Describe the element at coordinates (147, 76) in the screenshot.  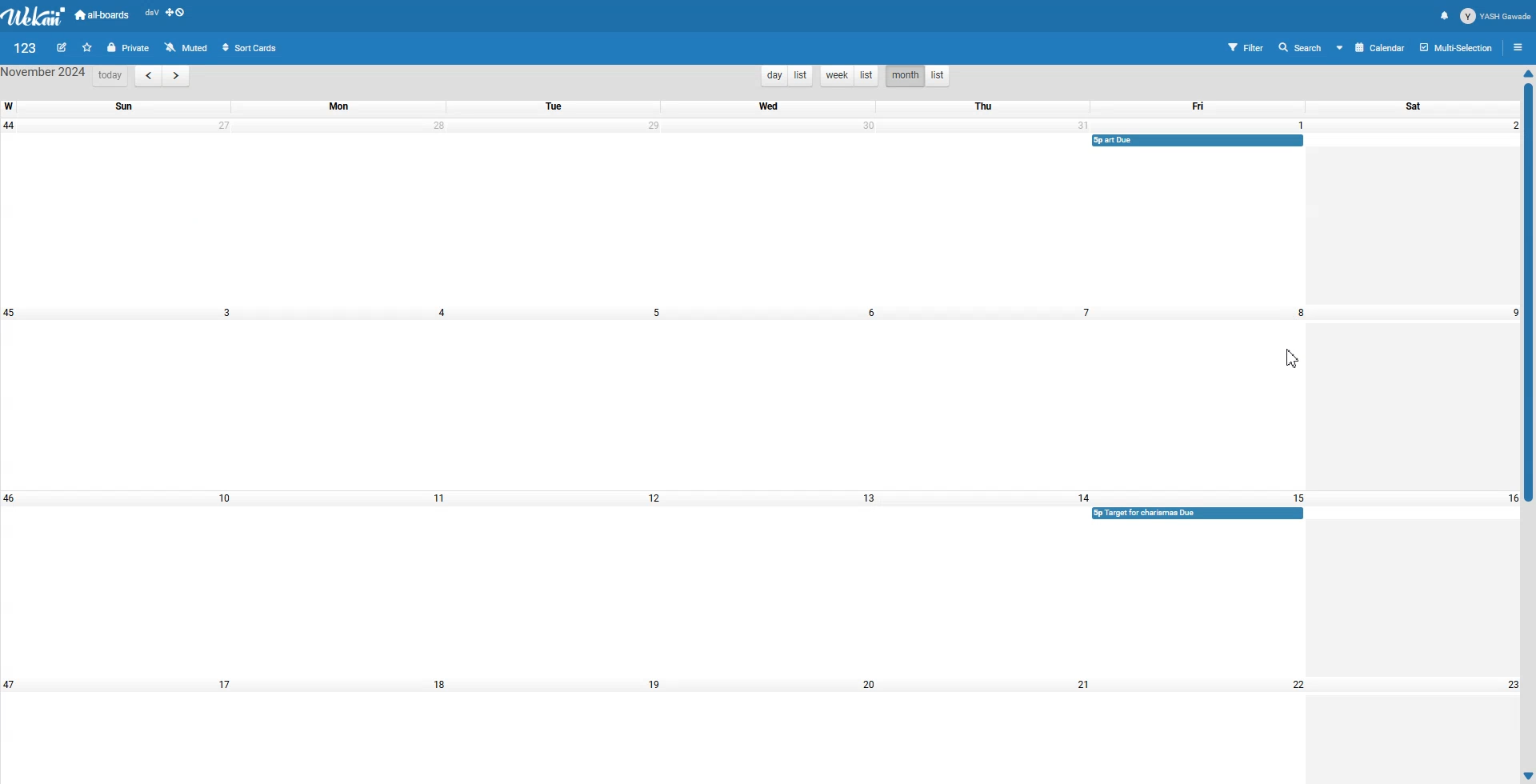
I see `Last Month` at that location.